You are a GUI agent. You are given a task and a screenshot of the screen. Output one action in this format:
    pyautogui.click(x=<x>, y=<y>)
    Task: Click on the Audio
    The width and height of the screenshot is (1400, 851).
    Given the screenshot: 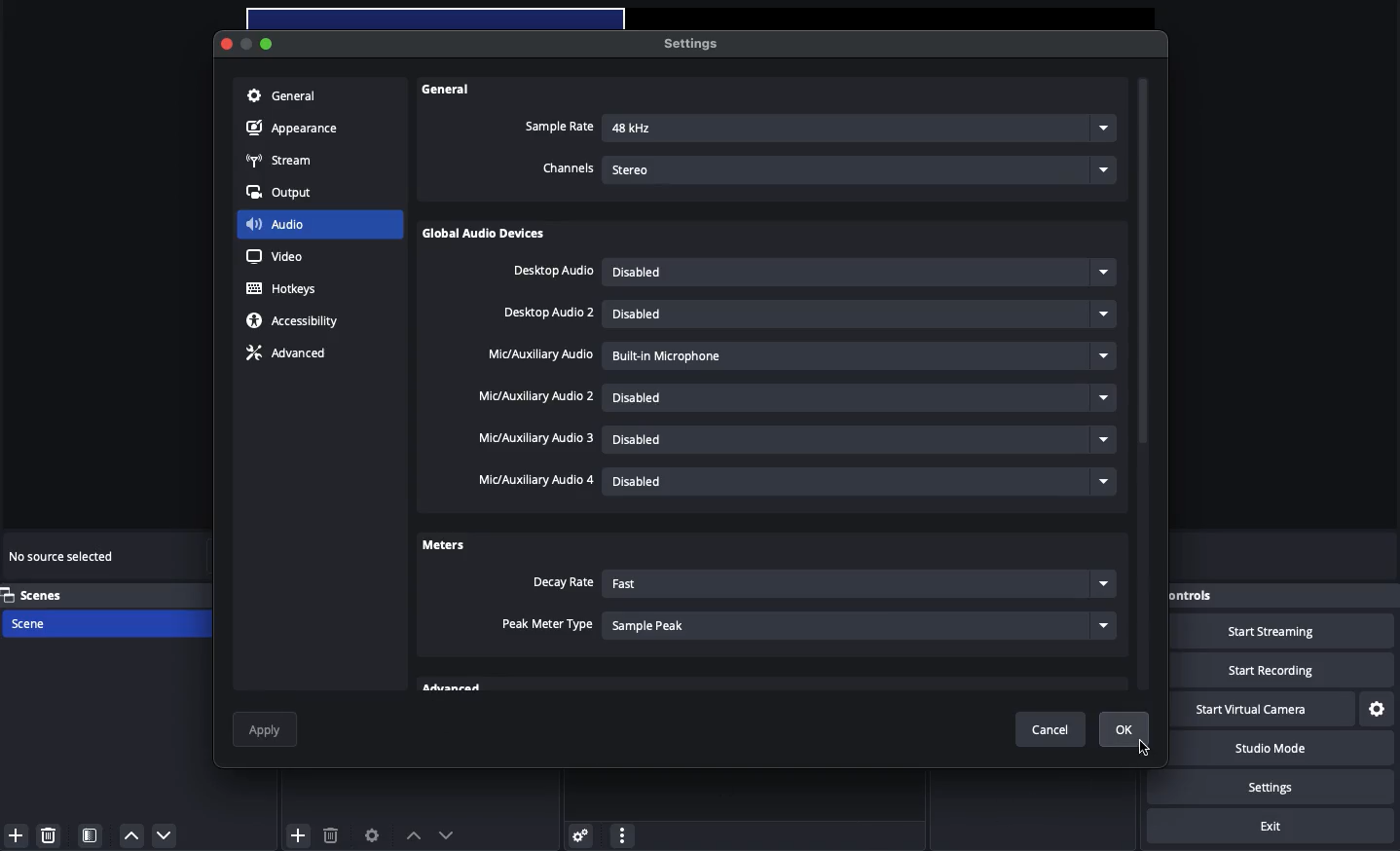 What is the action you would take?
    pyautogui.click(x=276, y=223)
    